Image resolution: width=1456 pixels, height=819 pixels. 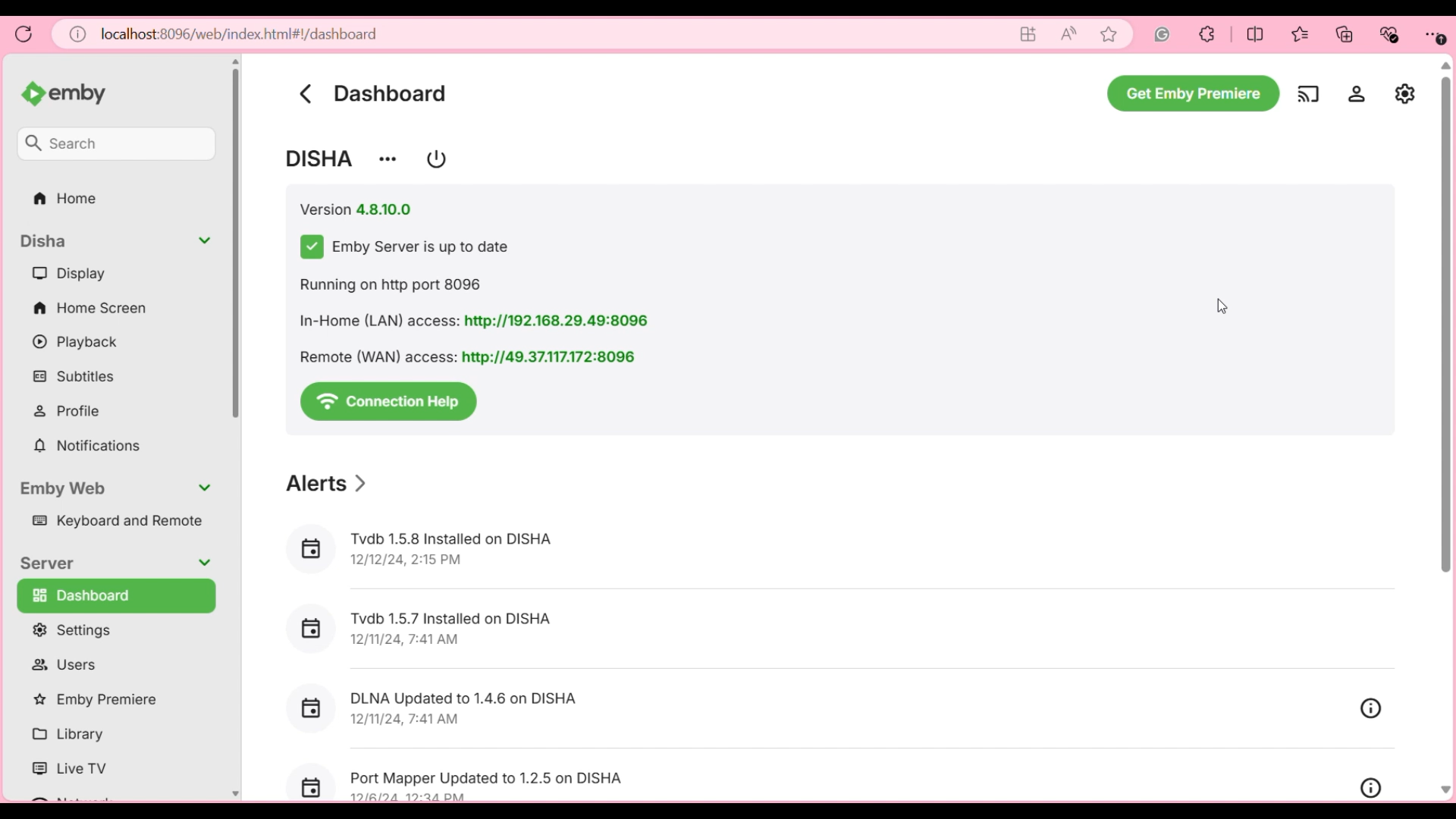 I want to click on Cursor, so click(x=1216, y=313).